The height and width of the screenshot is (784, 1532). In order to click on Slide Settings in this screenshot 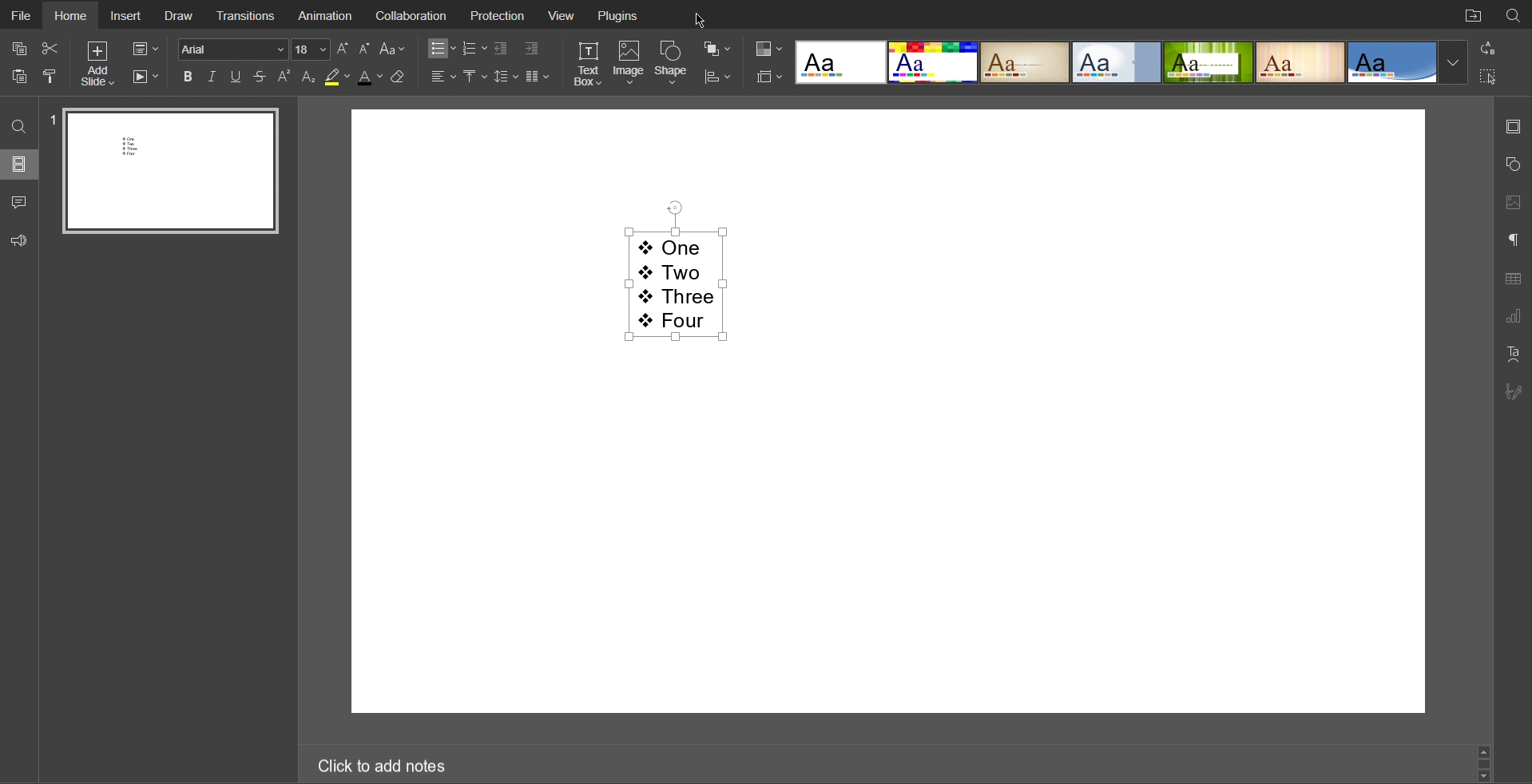, I will do `click(144, 48)`.